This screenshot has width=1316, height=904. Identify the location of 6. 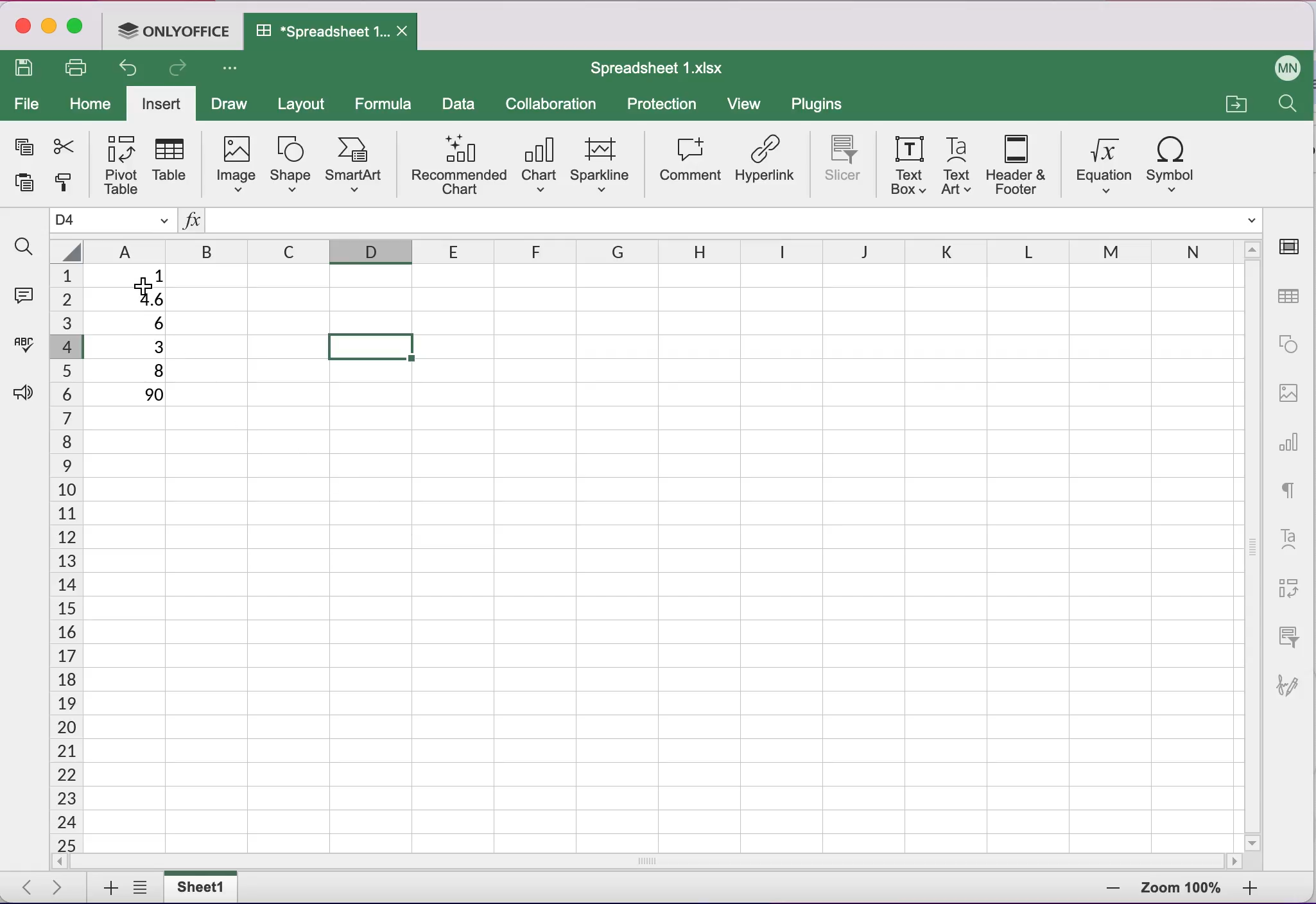
(132, 324).